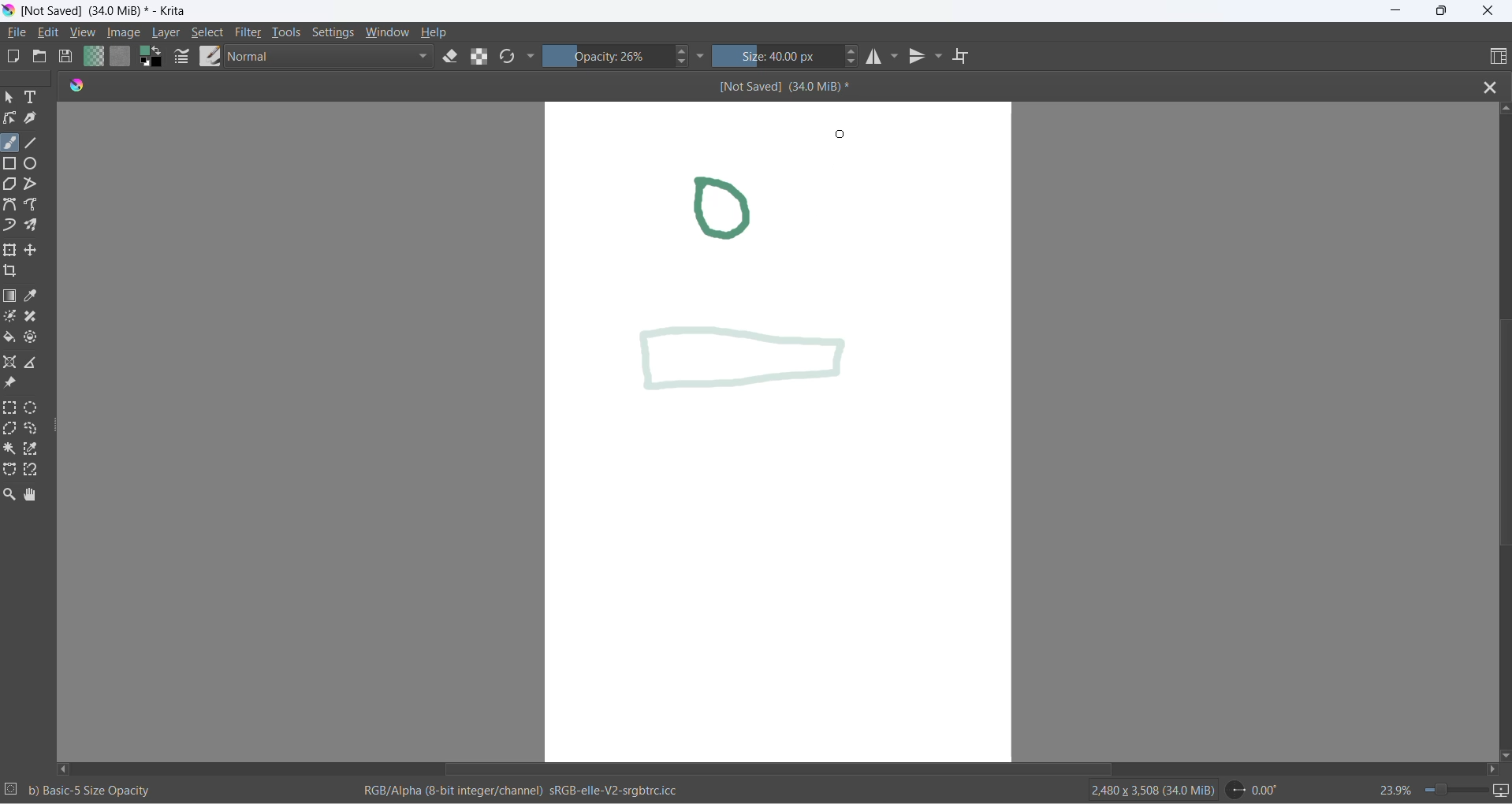 This screenshot has height=804, width=1512. What do you see at coordinates (10, 430) in the screenshot?
I see `polygonal selection tool` at bounding box center [10, 430].